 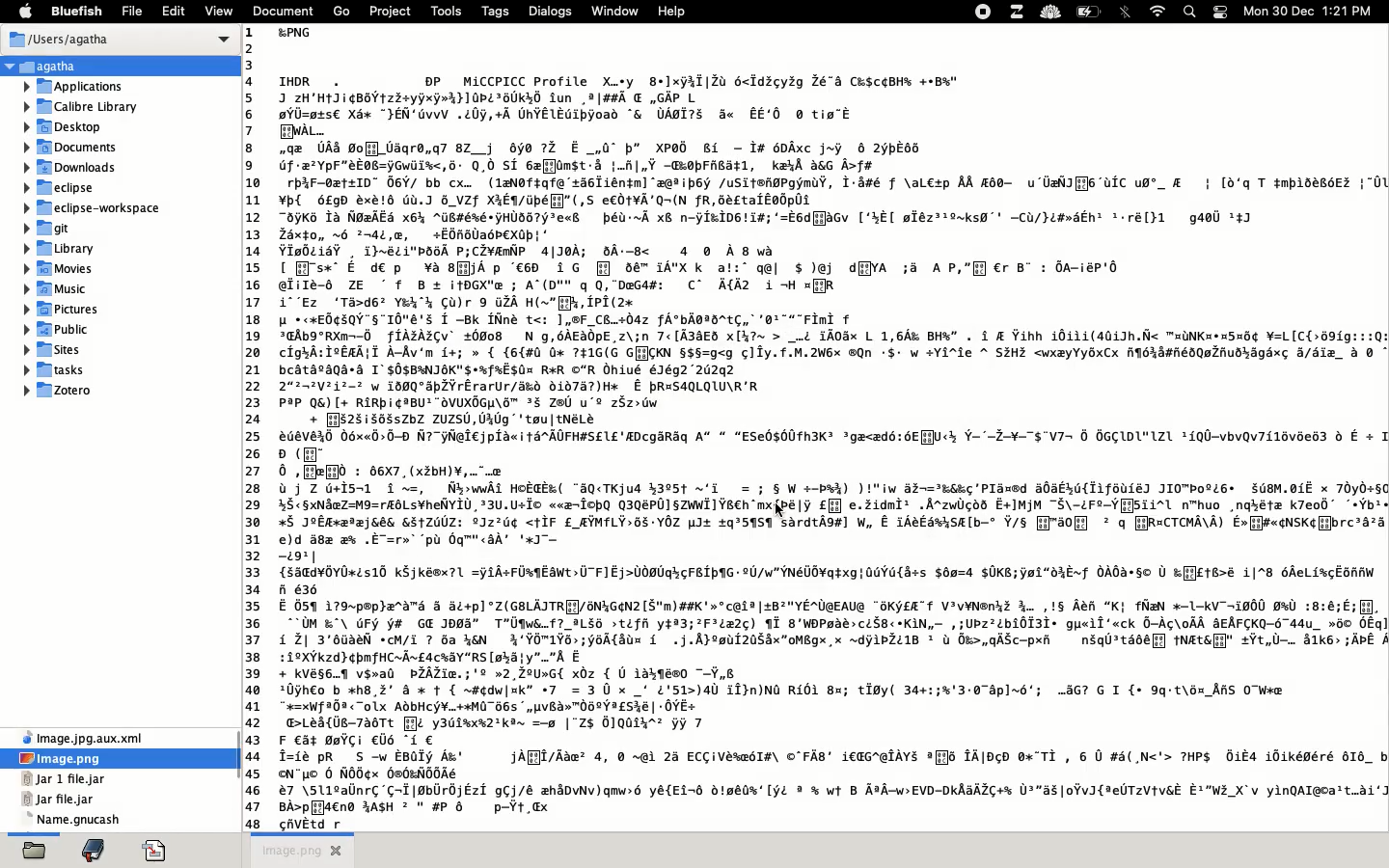 I want to click on dialogs, so click(x=551, y=14).